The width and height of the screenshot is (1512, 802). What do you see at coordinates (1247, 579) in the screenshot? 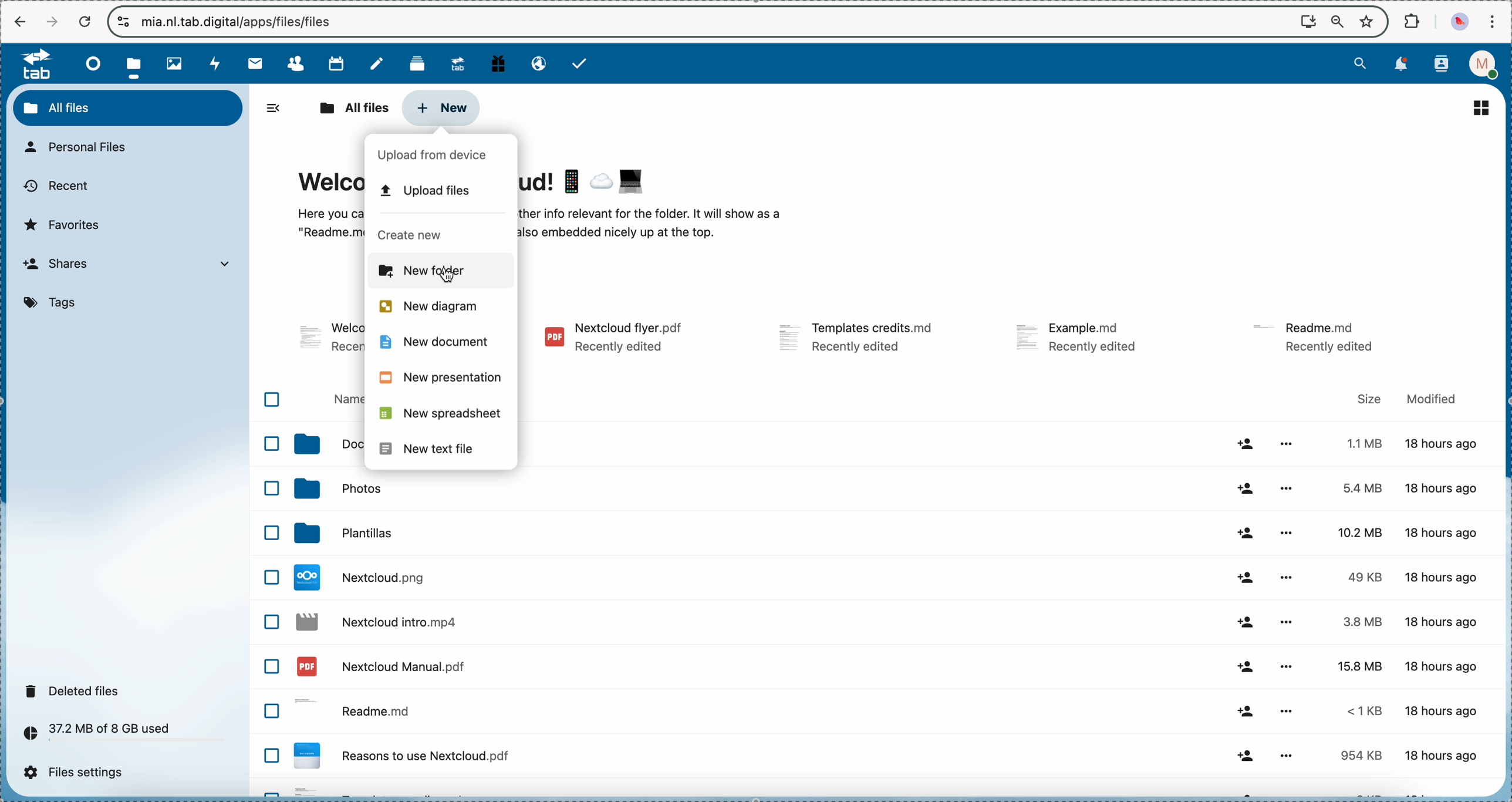
I see `share` at bounding box center [1247, 579].